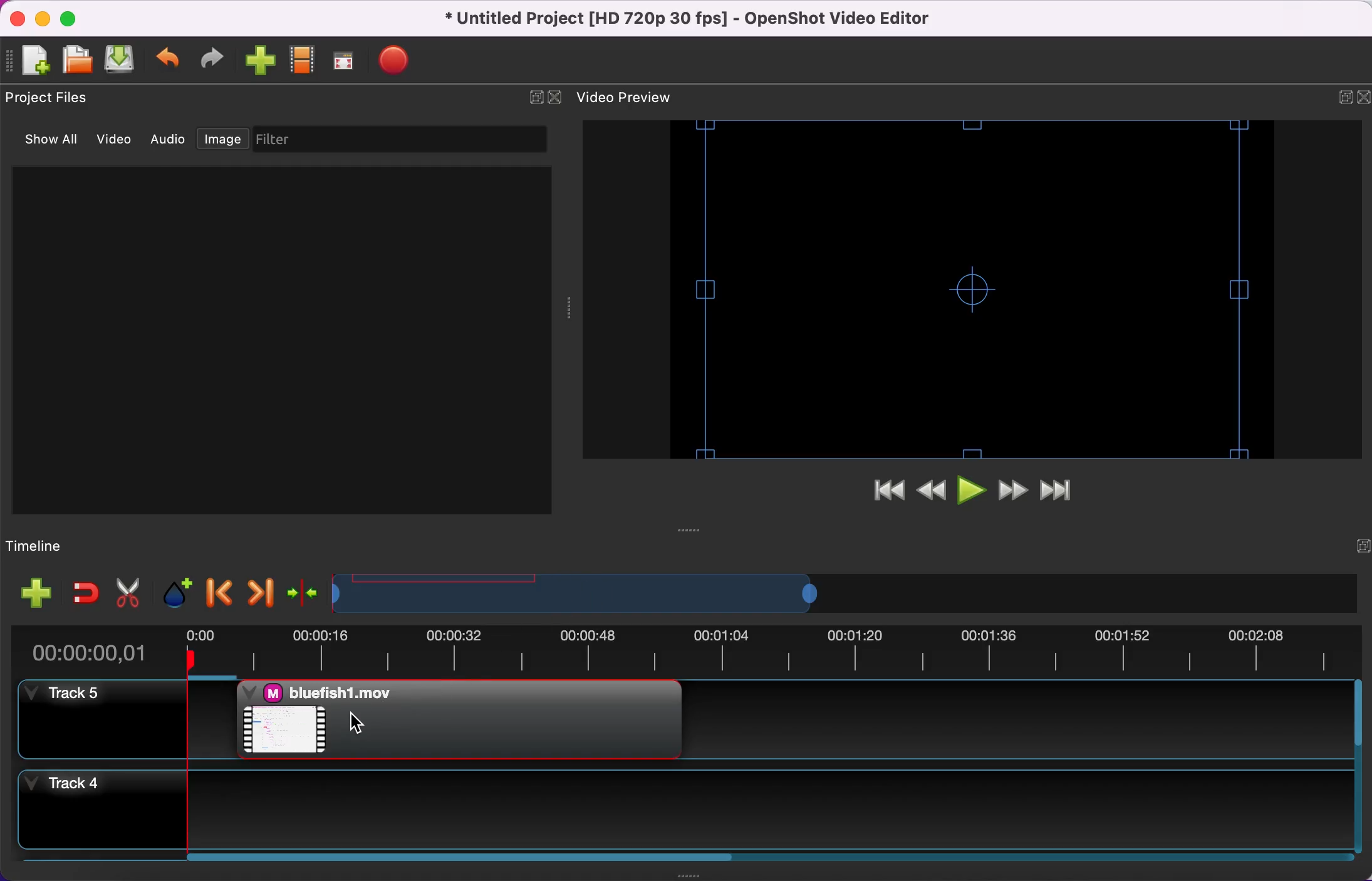 The width and height of the screenshot is (1372, 881). What do you see at coordinates (1333, 98) in the screenshot?
I see `expand/hide` at bounding box center [1333, 98].